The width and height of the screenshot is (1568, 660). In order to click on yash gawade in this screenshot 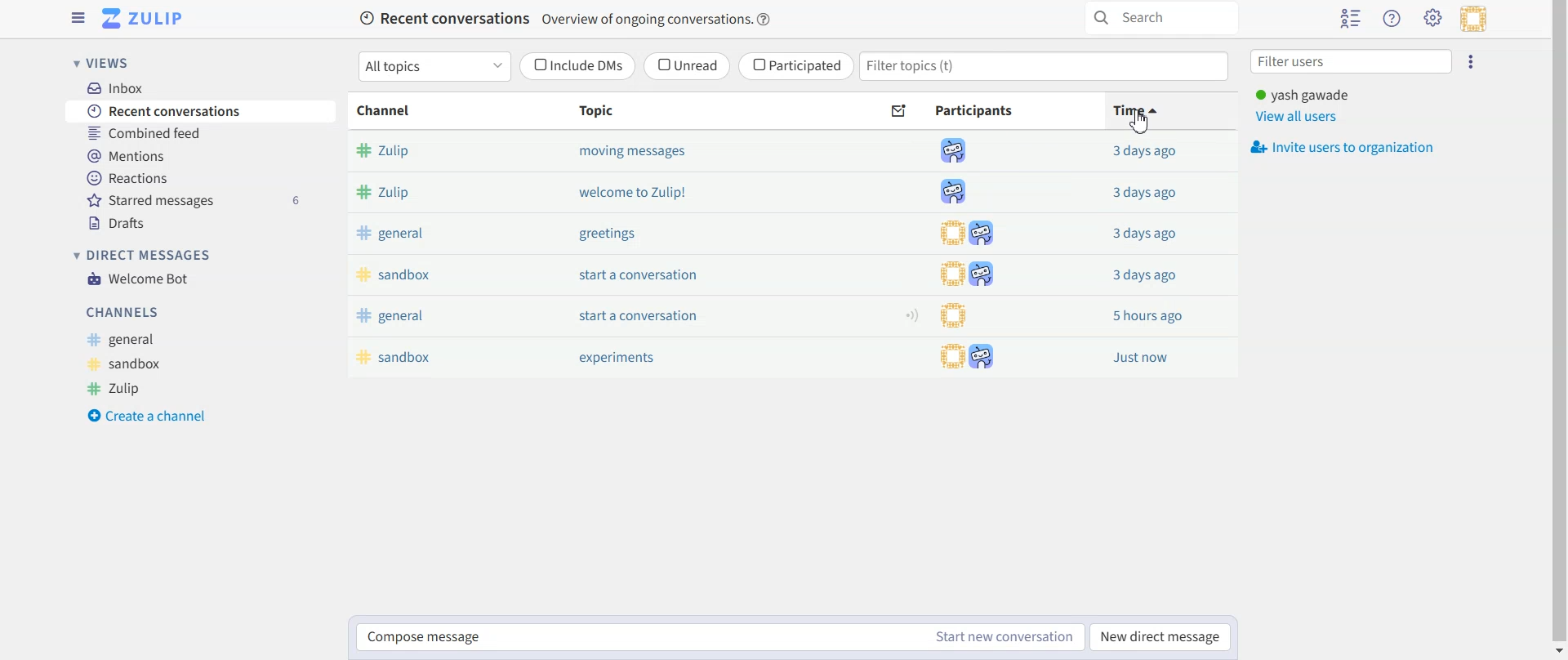, I will do `click(1305, 96)`.